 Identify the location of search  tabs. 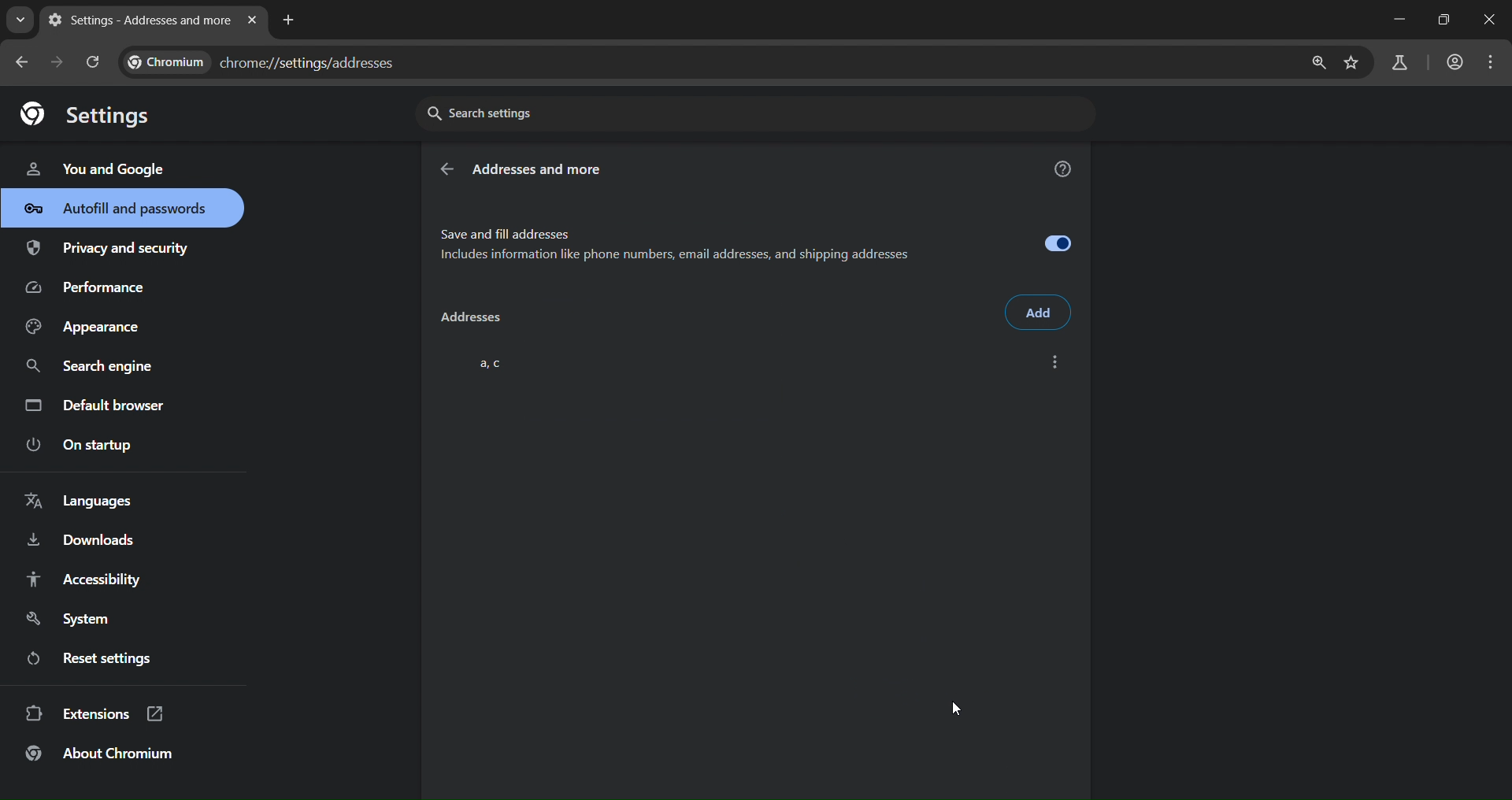
(20, 20).